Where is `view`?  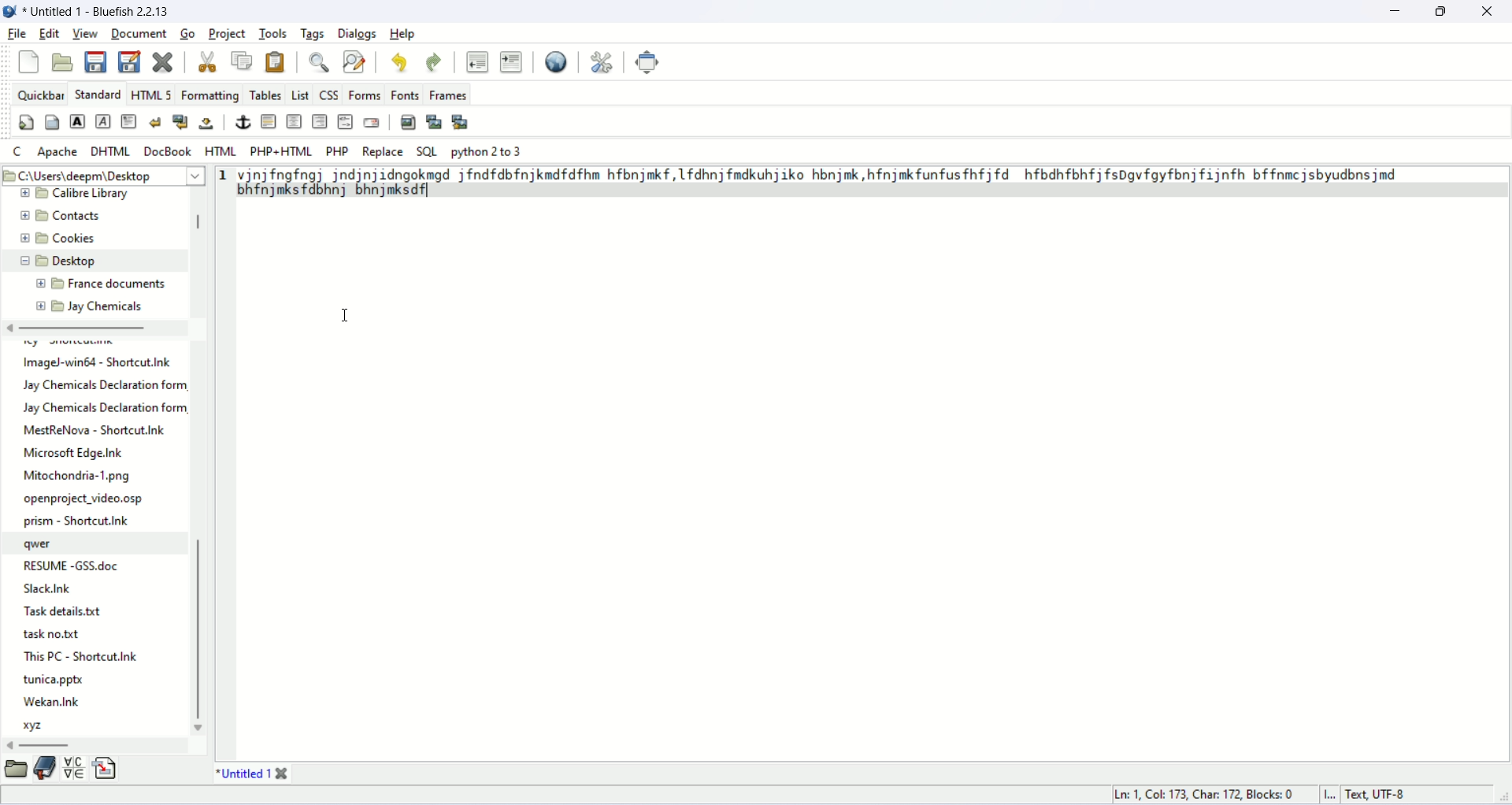 view is located at coordinates (86, 33).